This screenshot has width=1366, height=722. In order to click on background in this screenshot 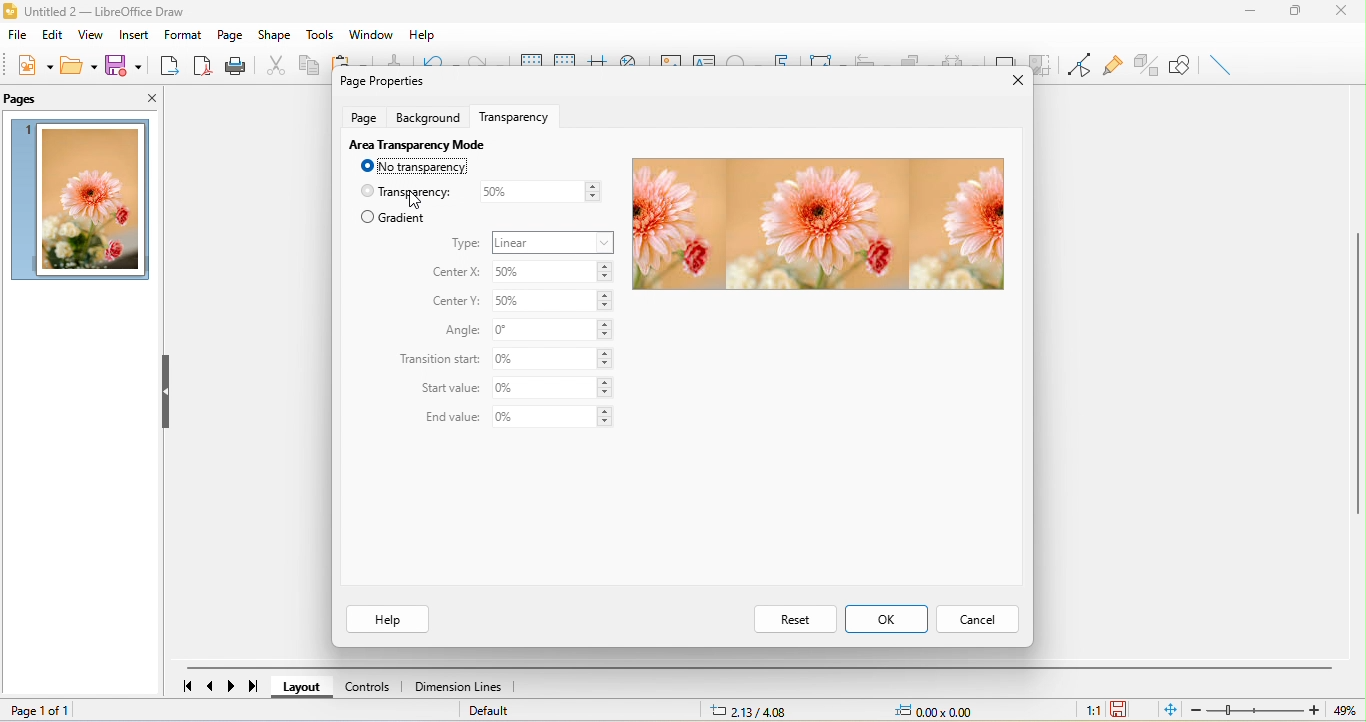, I will do `click(431, 116)`.